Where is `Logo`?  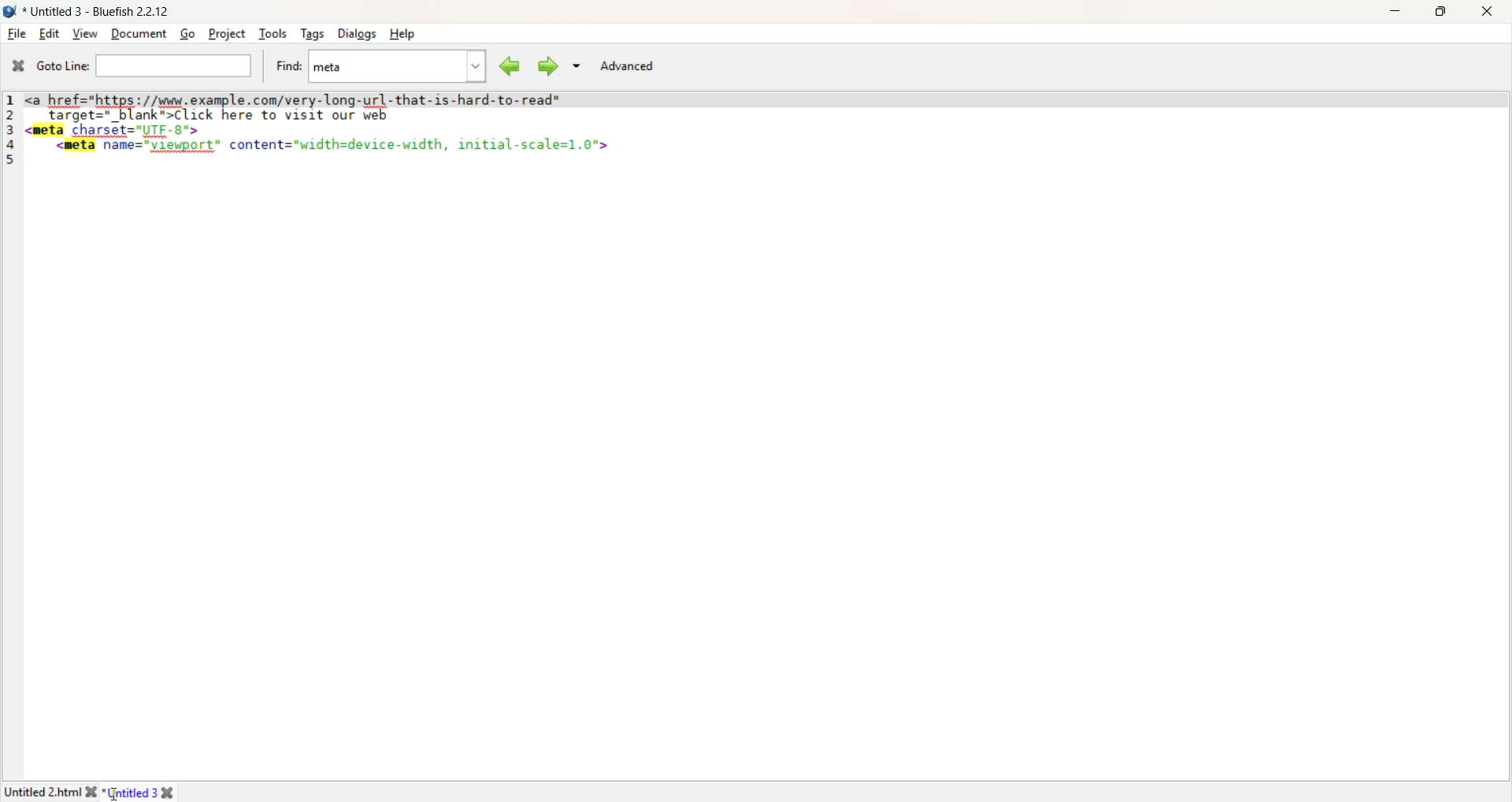 Logo is located at coordinates (10, 12).